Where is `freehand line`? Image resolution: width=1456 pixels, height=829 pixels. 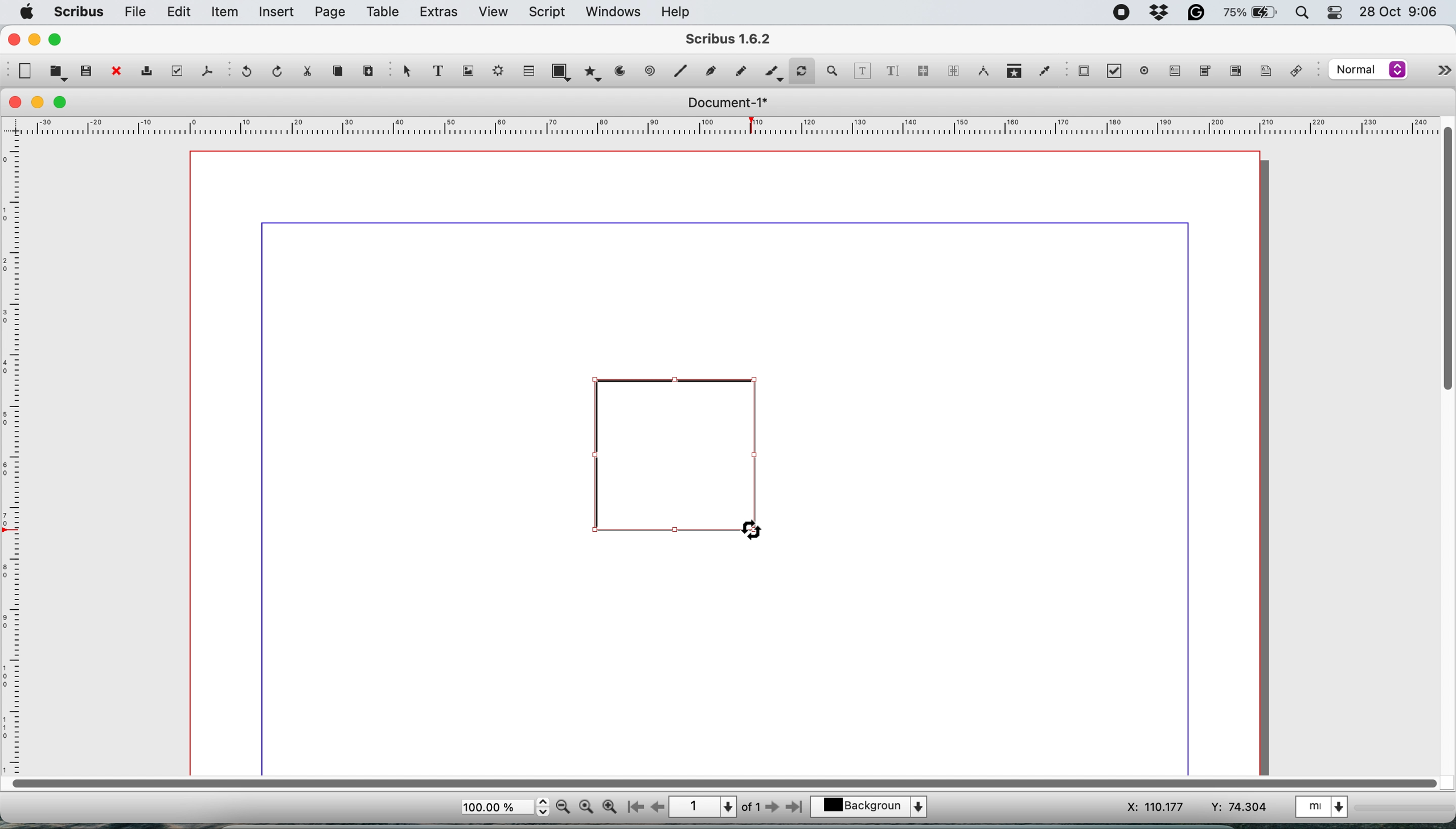
freehand line is located at coordinates (738, 71).